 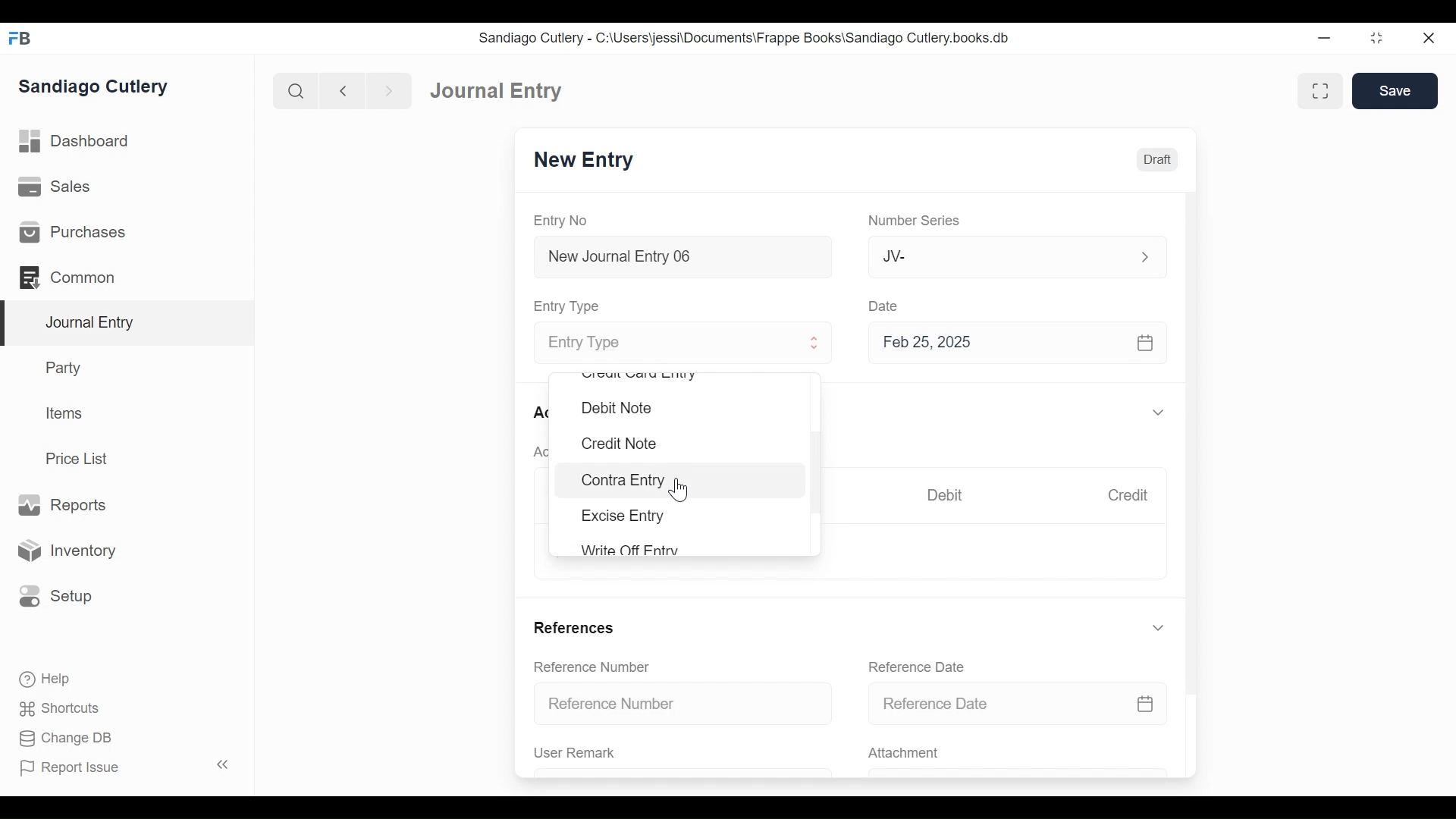 I want to click on Navigate Forward, so click(x=390, y=92).